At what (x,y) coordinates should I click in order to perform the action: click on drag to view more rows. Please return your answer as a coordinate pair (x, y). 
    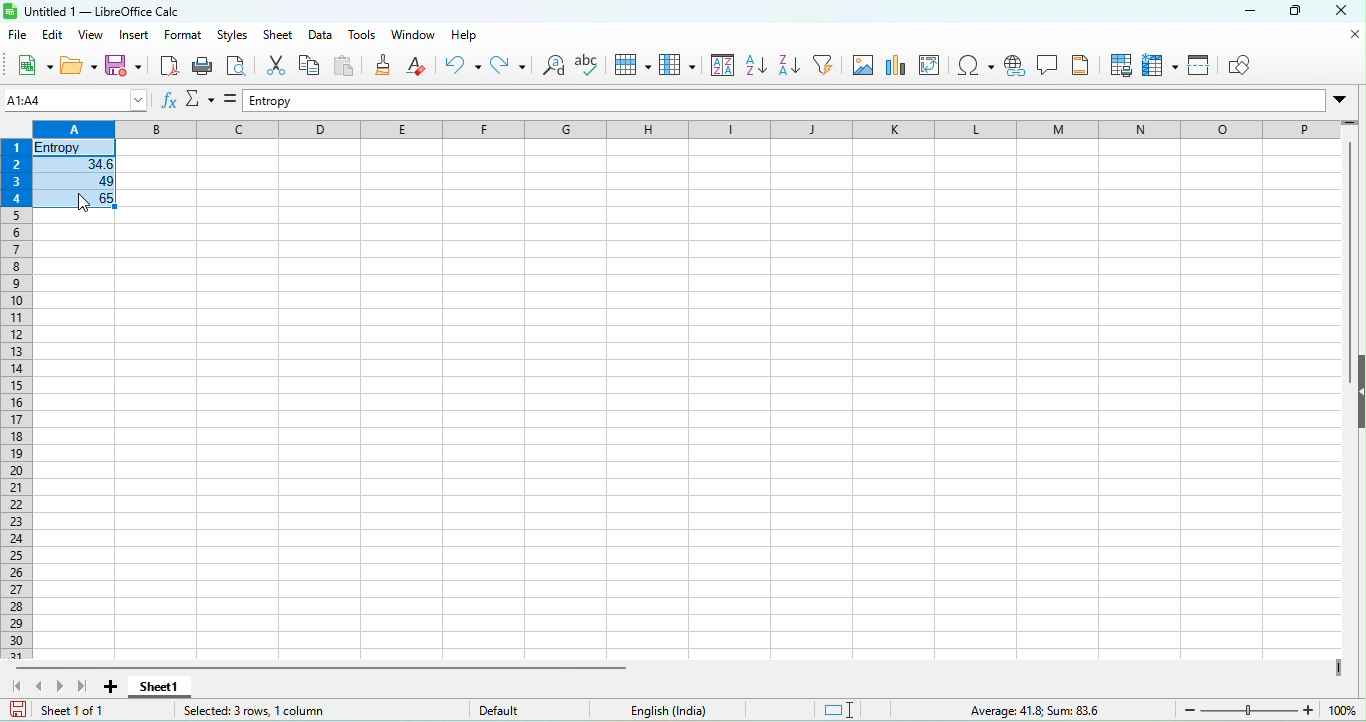
    Looking at the image, I should click on (1347, 122).